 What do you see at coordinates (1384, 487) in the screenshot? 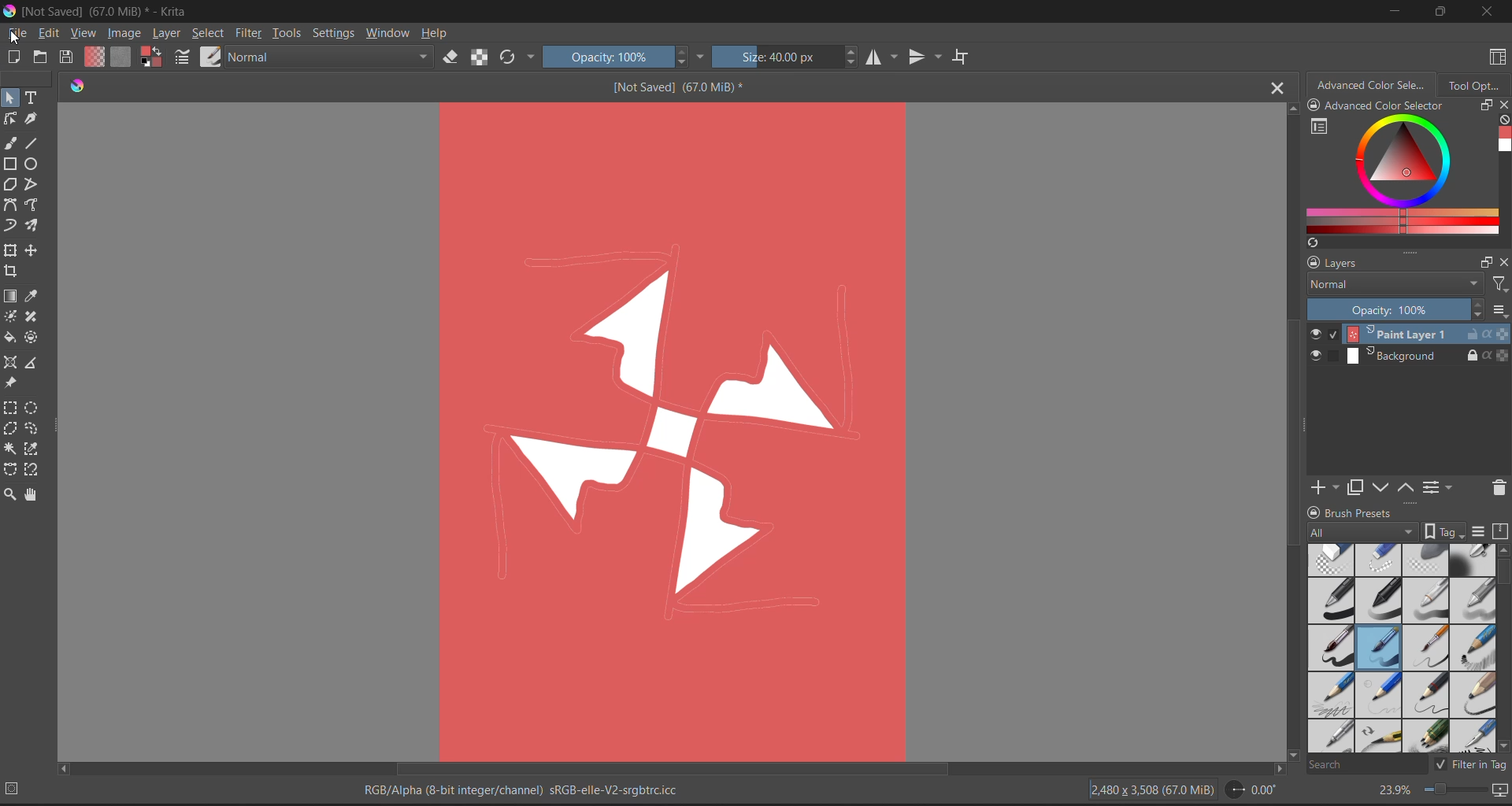
I see `mask down` at bounding box center [1384, 487].